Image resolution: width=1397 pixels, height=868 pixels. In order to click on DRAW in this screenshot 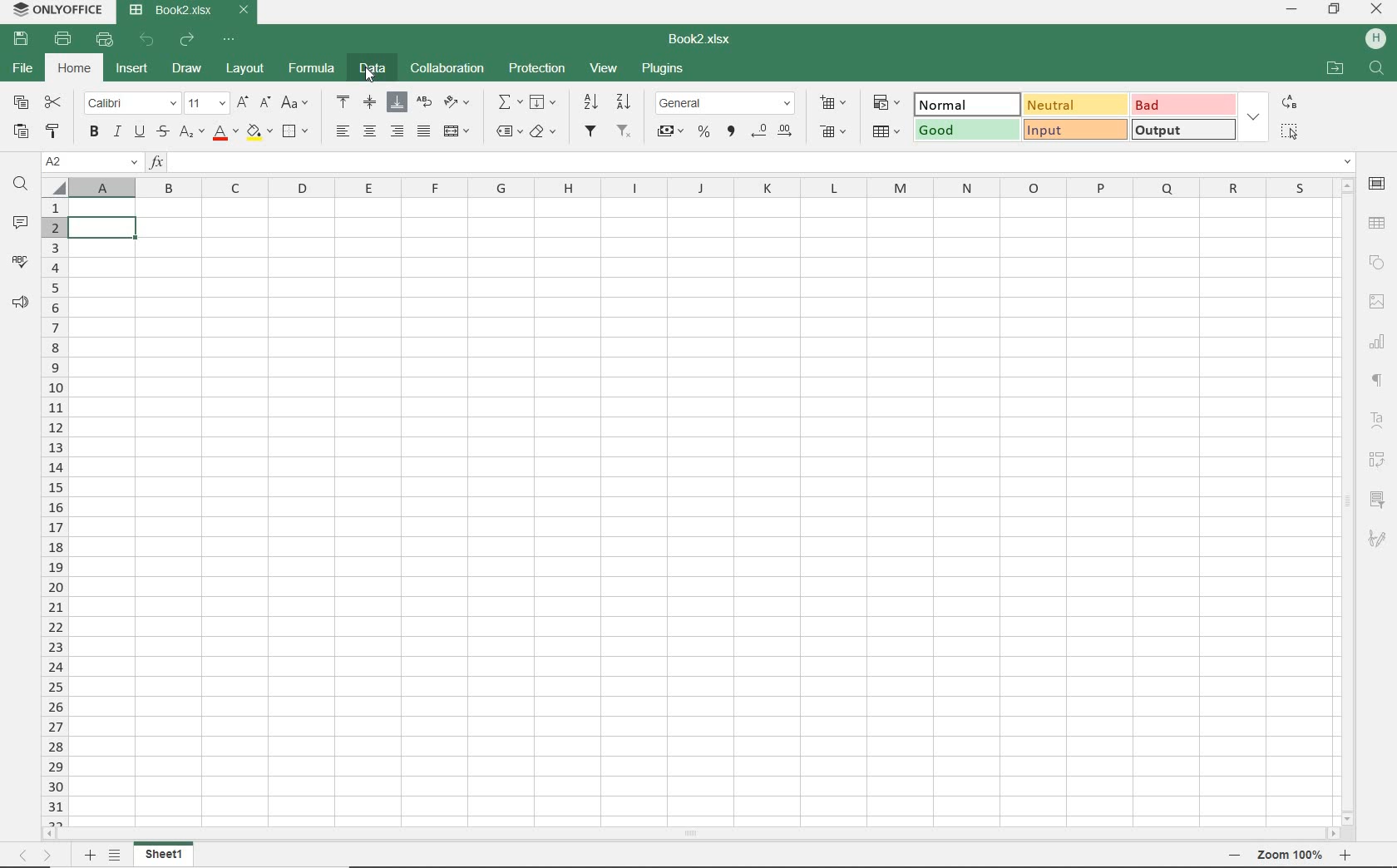, I will do `click(187, 68)`.